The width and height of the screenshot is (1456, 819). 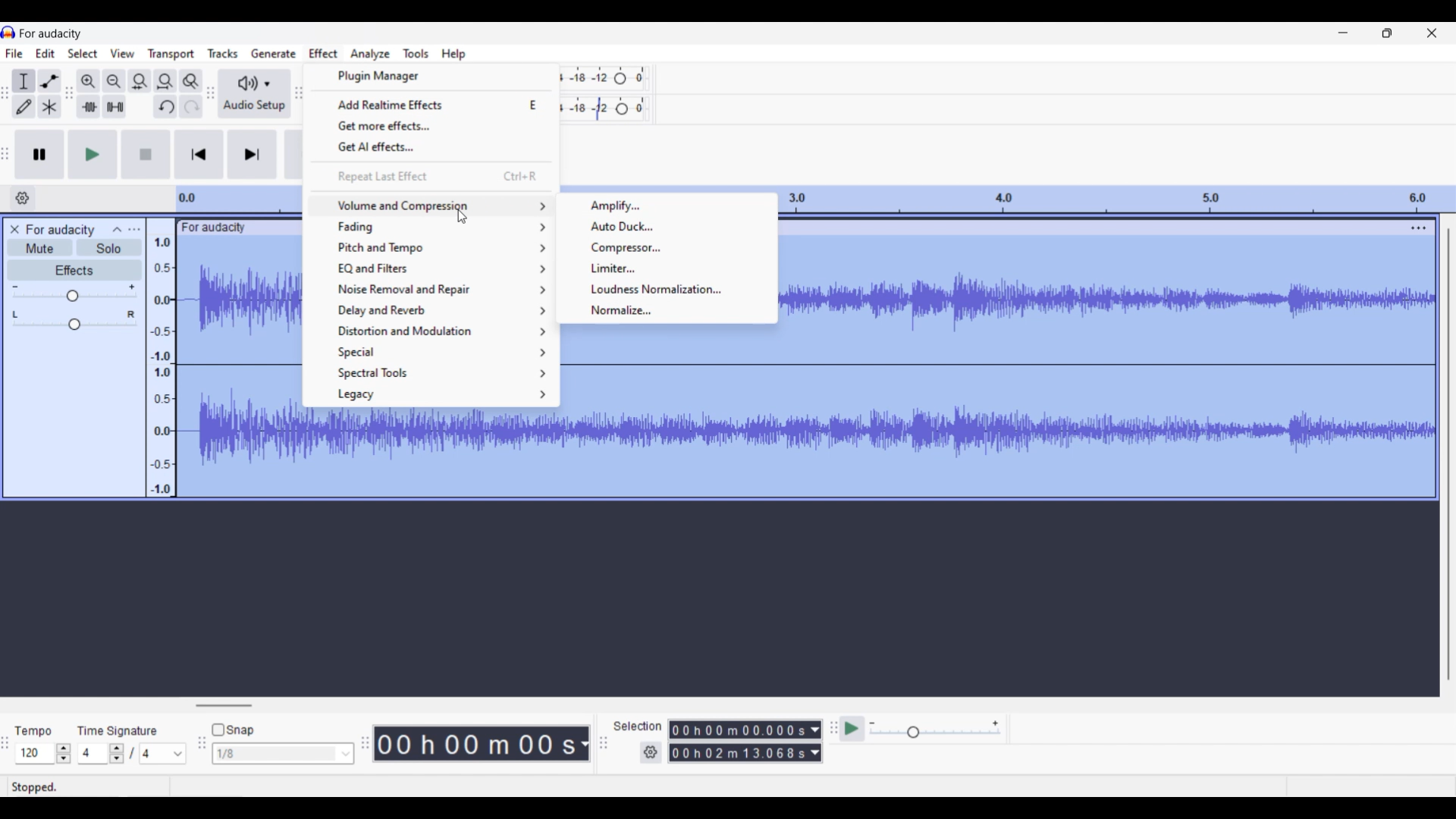 What do you see at coordinates (323, 53) in the screenshot?
I see `Effect menu` at bounding box center [323, 53].